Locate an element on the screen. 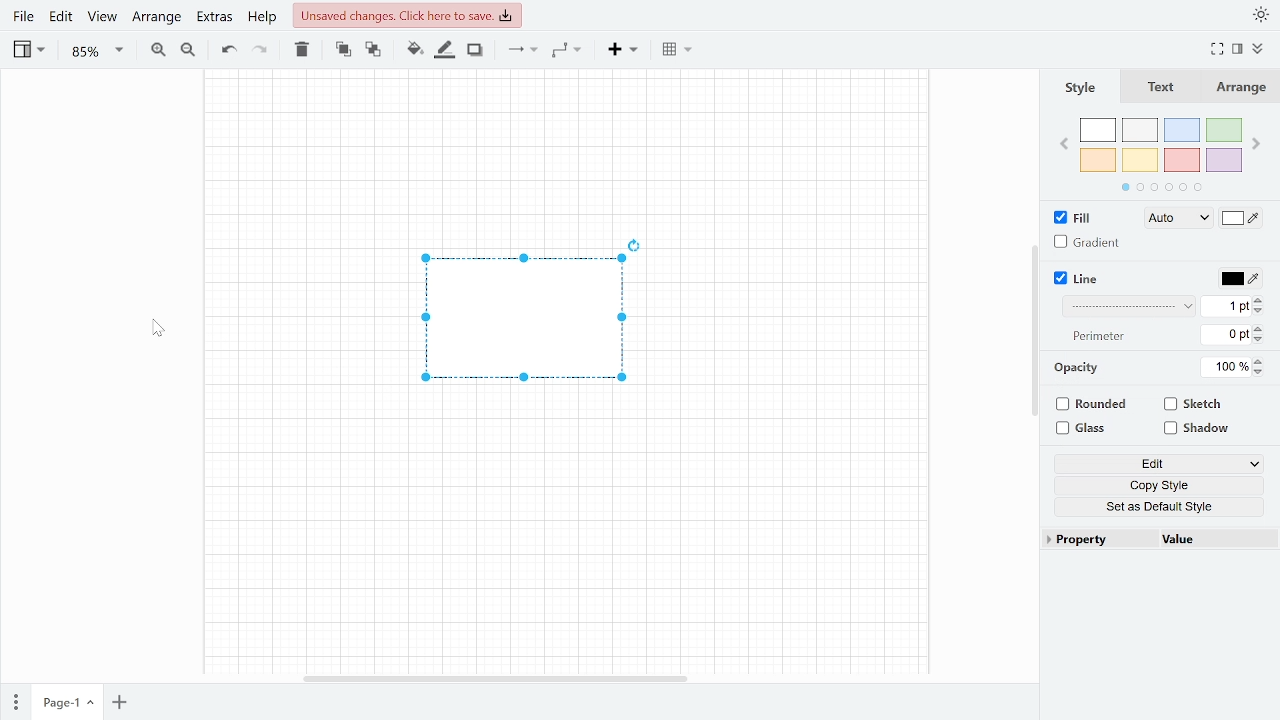 This screenshot has width=1280, height=720. Gradient is located at coordinates (1090, 243).